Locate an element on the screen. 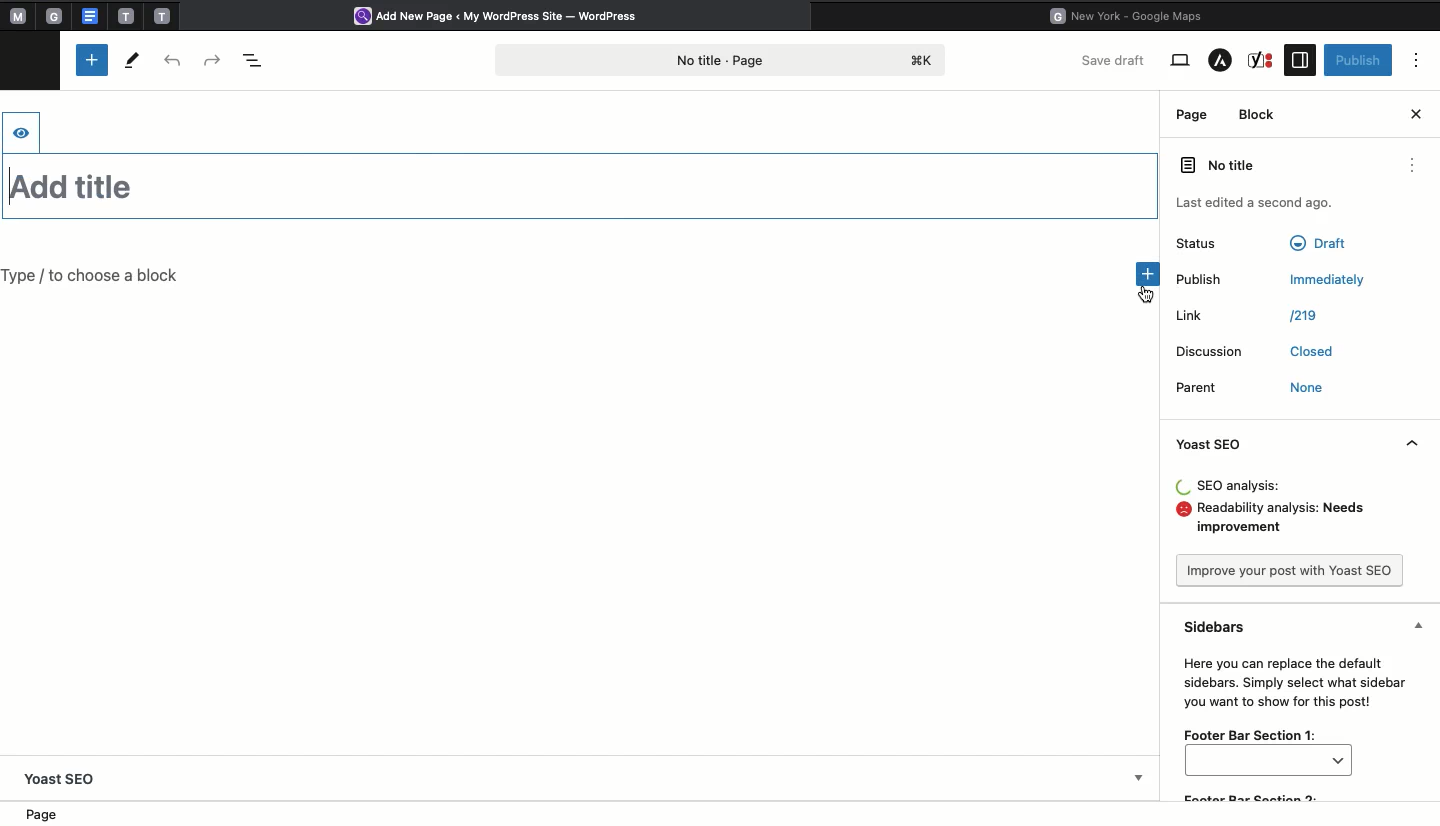 The image size is (1440, 826). Save draft is located at coordinates (1116, 59).